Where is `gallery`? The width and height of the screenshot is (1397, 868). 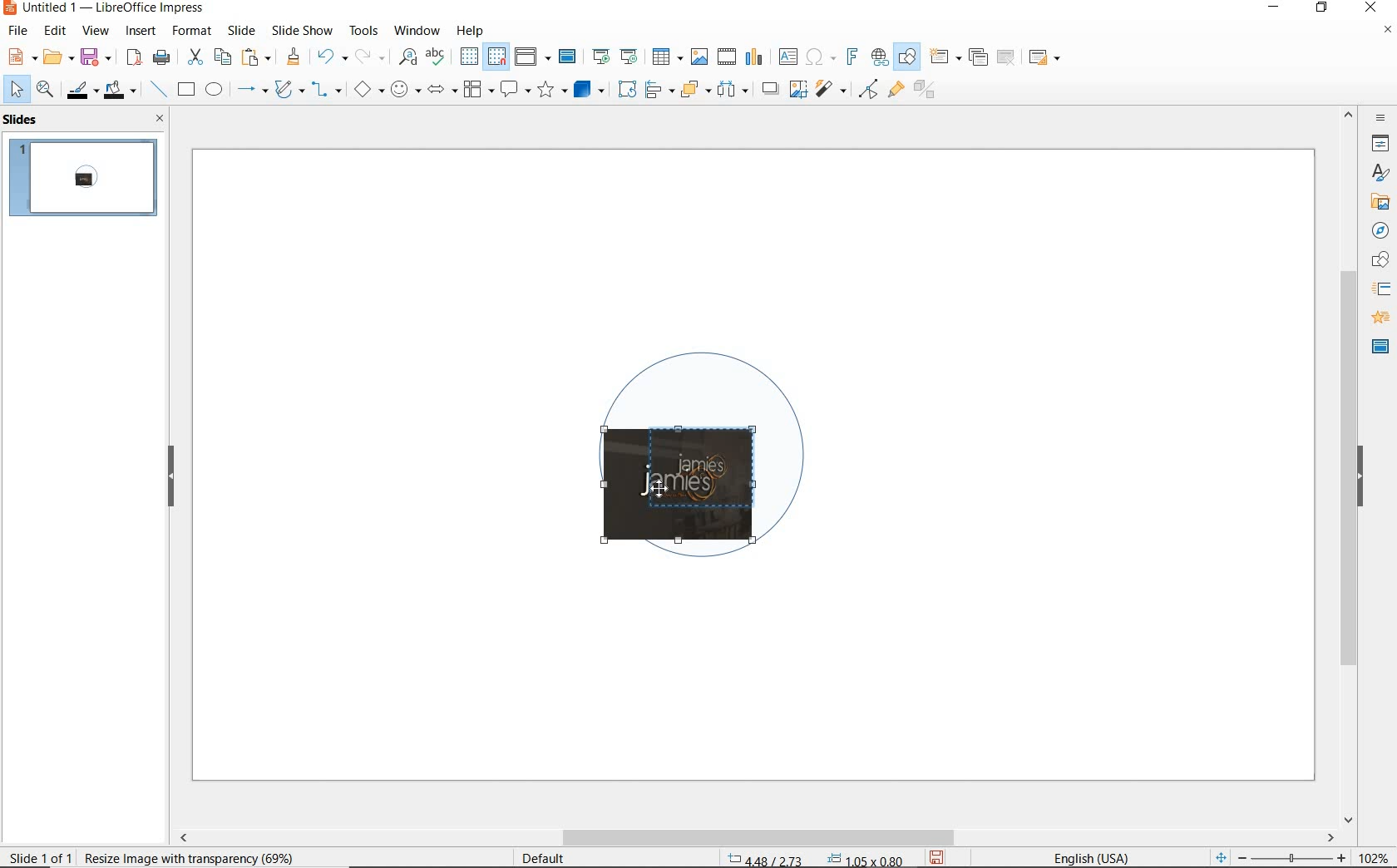
gallery is located at coordinates (1377, 201).